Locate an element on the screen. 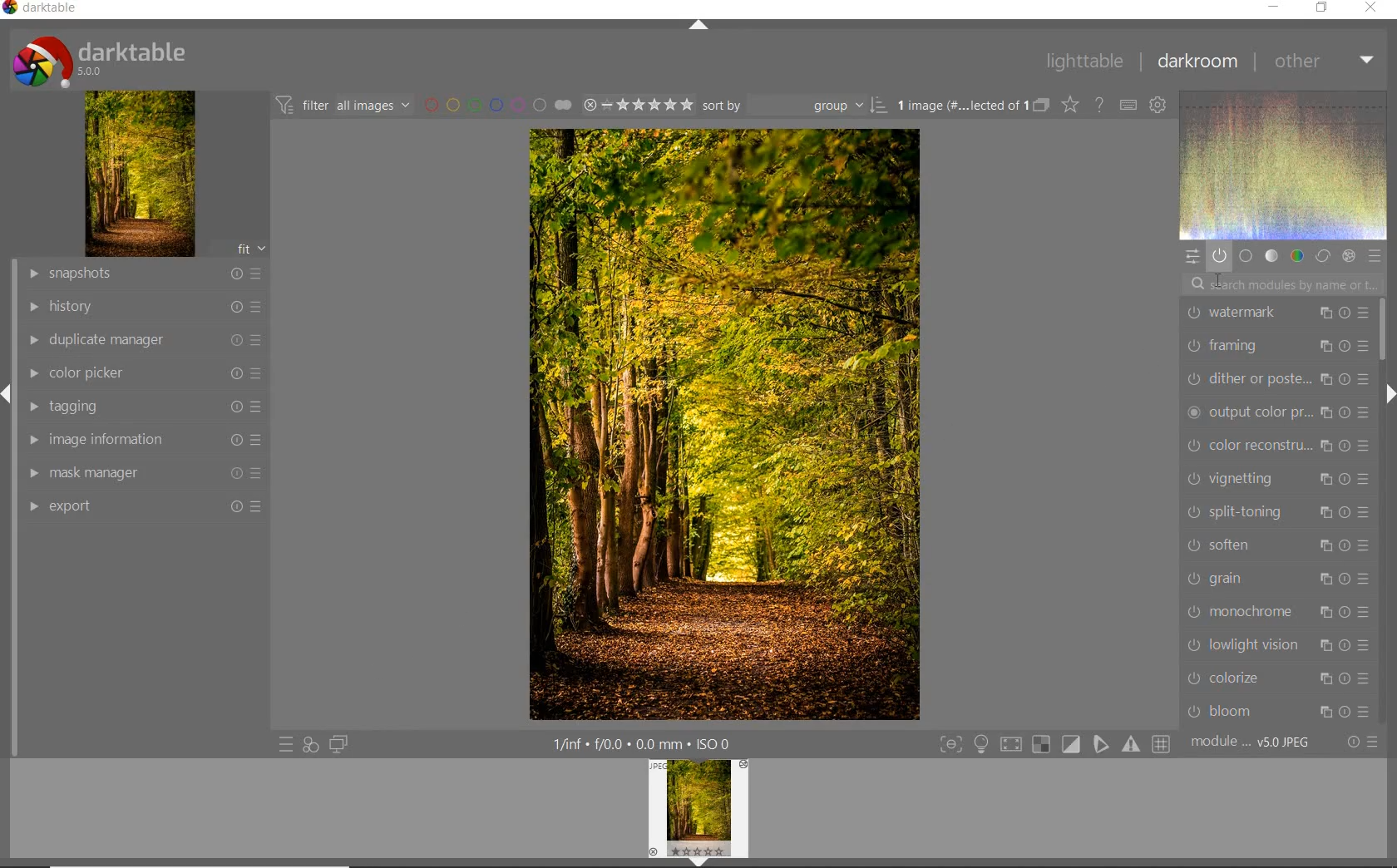  color  is located at coordinates (1296, 256).